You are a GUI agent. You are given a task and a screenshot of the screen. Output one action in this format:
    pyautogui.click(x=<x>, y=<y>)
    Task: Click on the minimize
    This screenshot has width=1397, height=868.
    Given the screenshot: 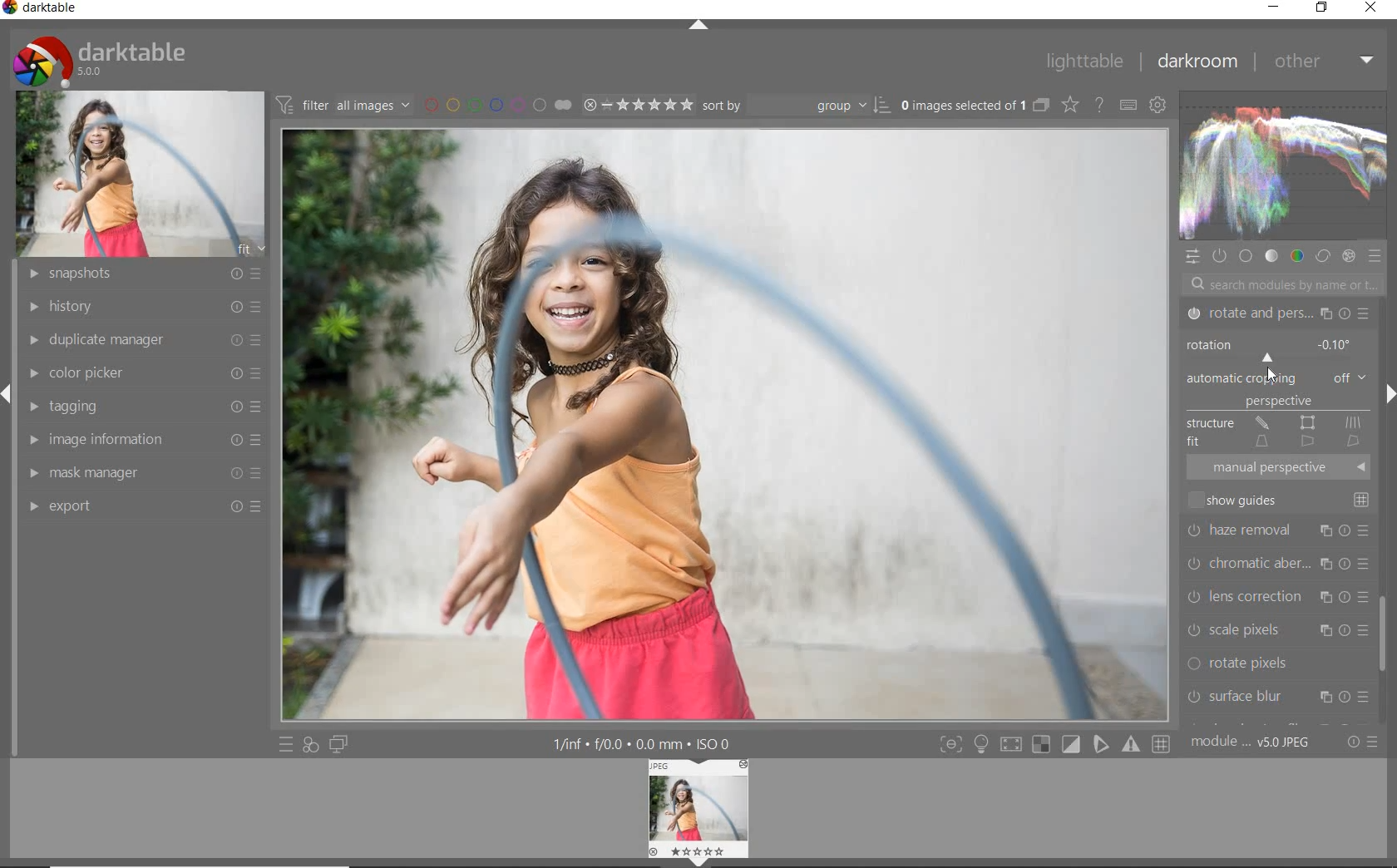 What is the action you would take?
    pyautogui.click(x=1272, y=7)
    